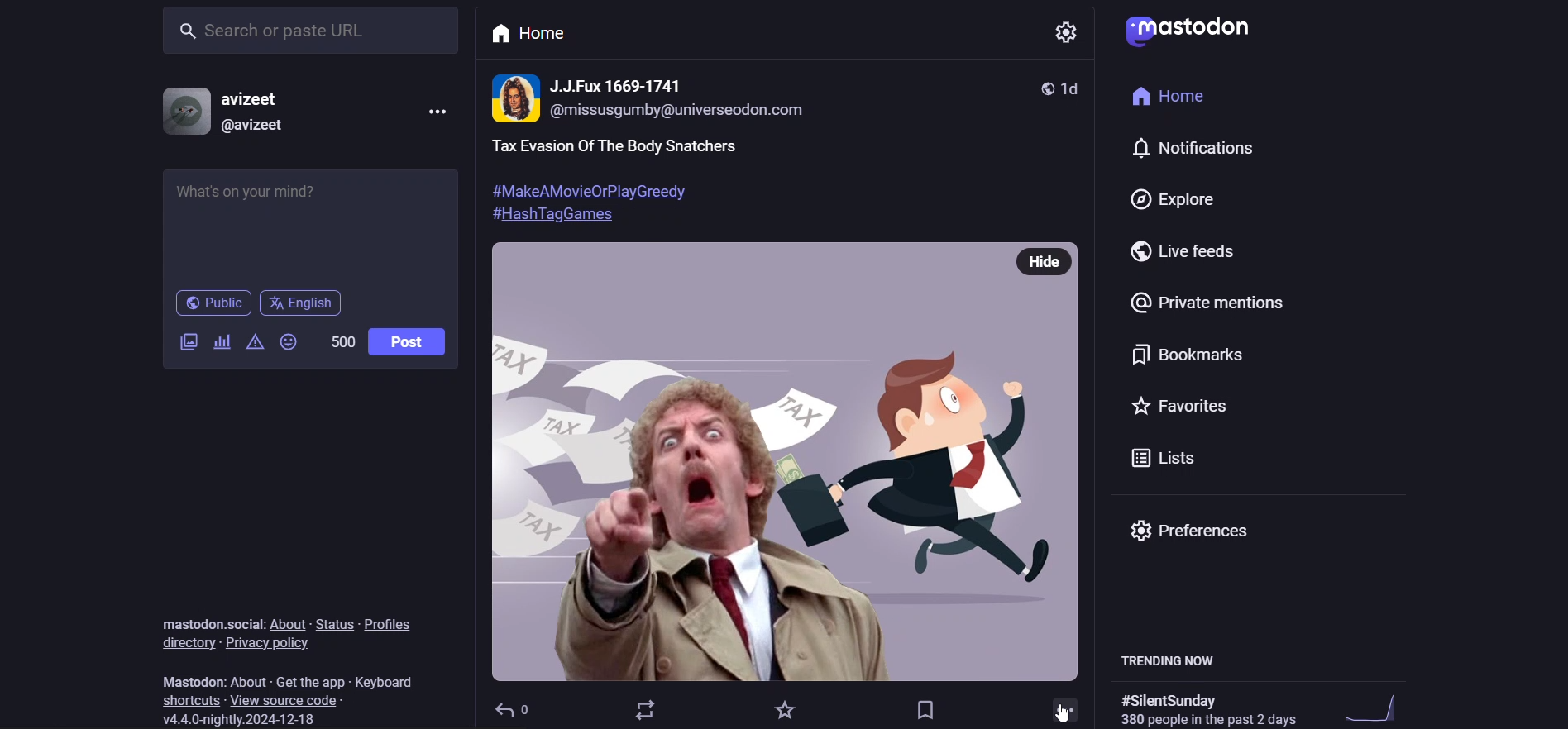 The width and height of the screenshot is (1568, 729). What do you see at coordinates (439, 113) in the screenshot?
I see `more` at bounding box center [439, 113].